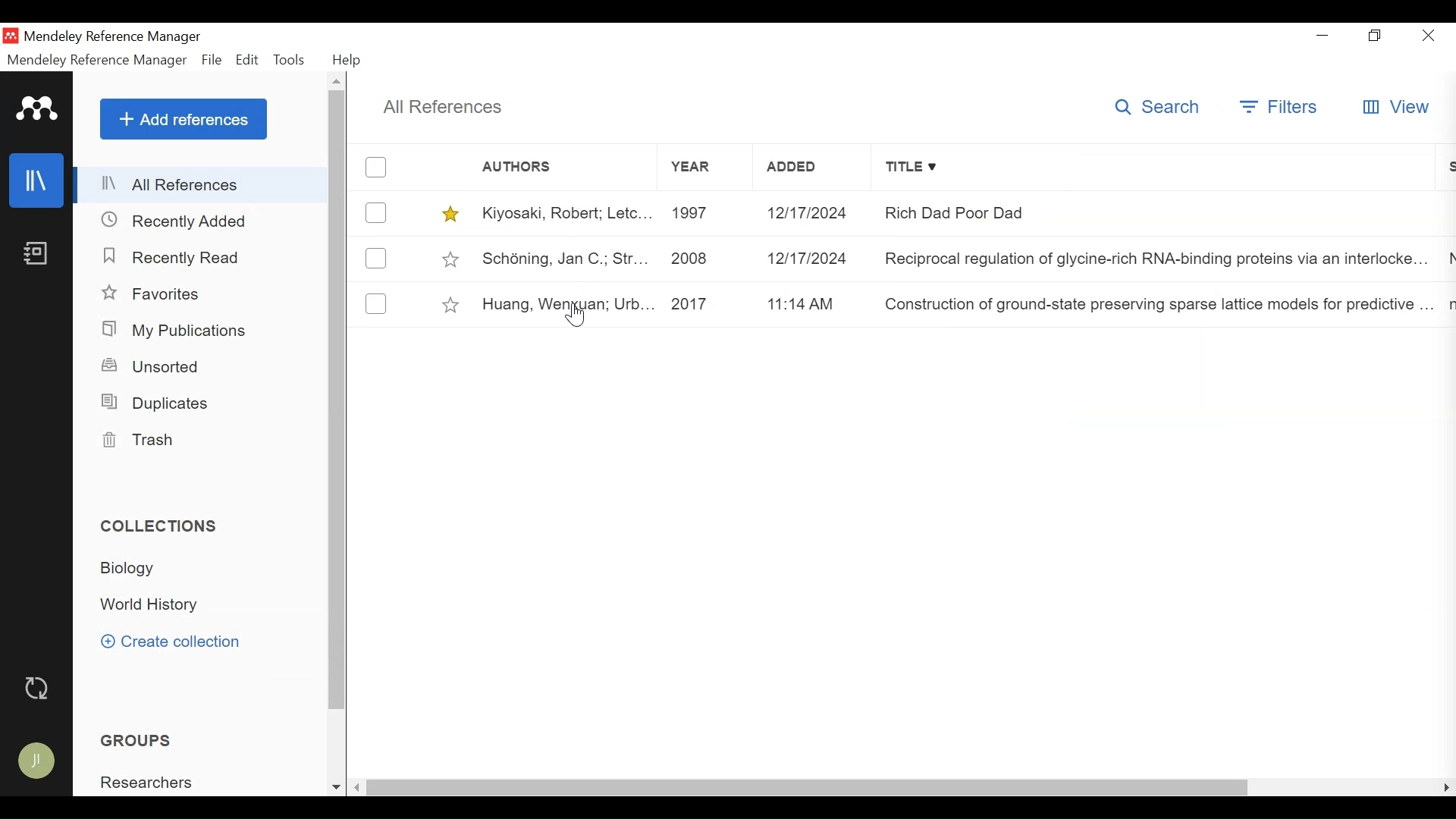 Image resolution: width=1456 pixels, height=819 pixels. Describe the element at coordinates (563, 305) in the screenshot. I see `Huang, Wenxuan; Urb...` at that location.